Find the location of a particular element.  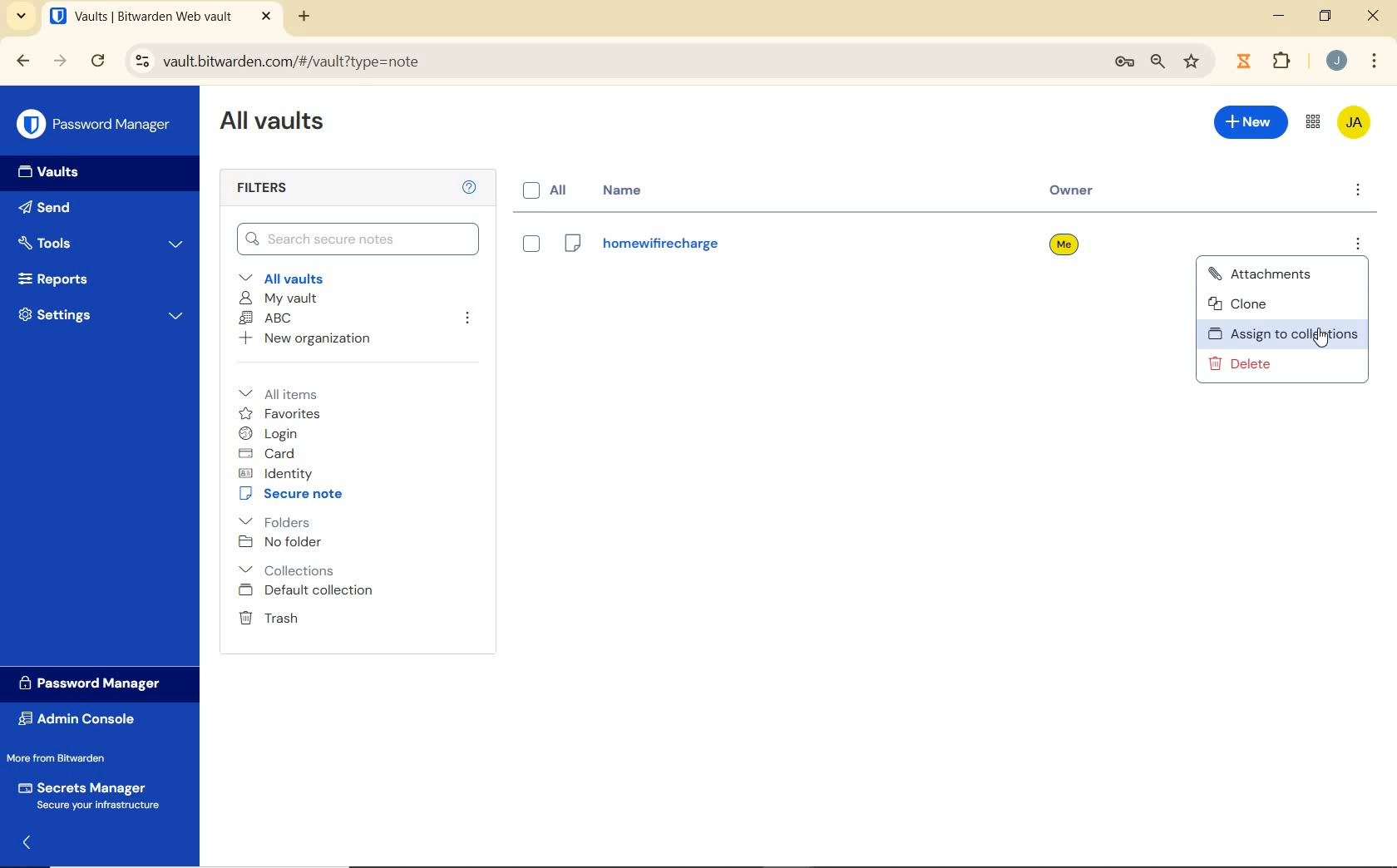

My Vault is located at coordinates (278, 299).